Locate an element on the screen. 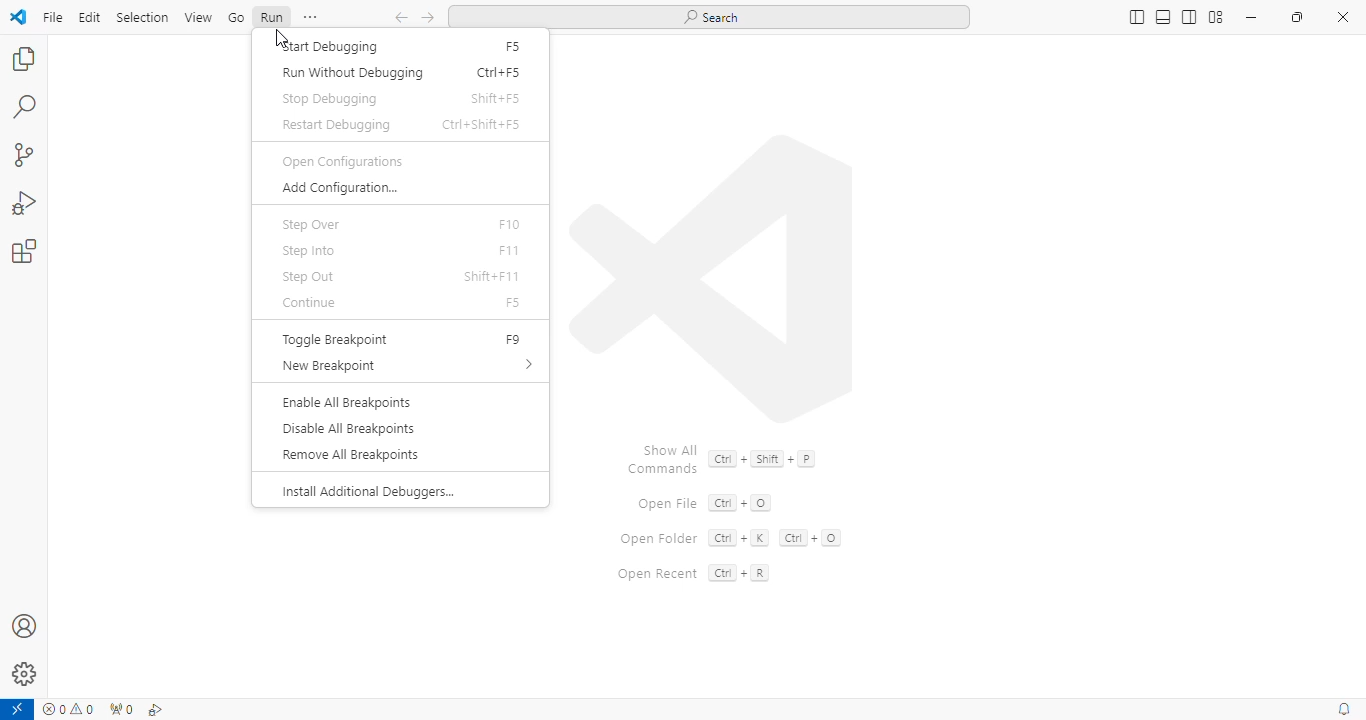 This screenshot has width=1366, height=720. maximize is located at coordinates (1299, 17).